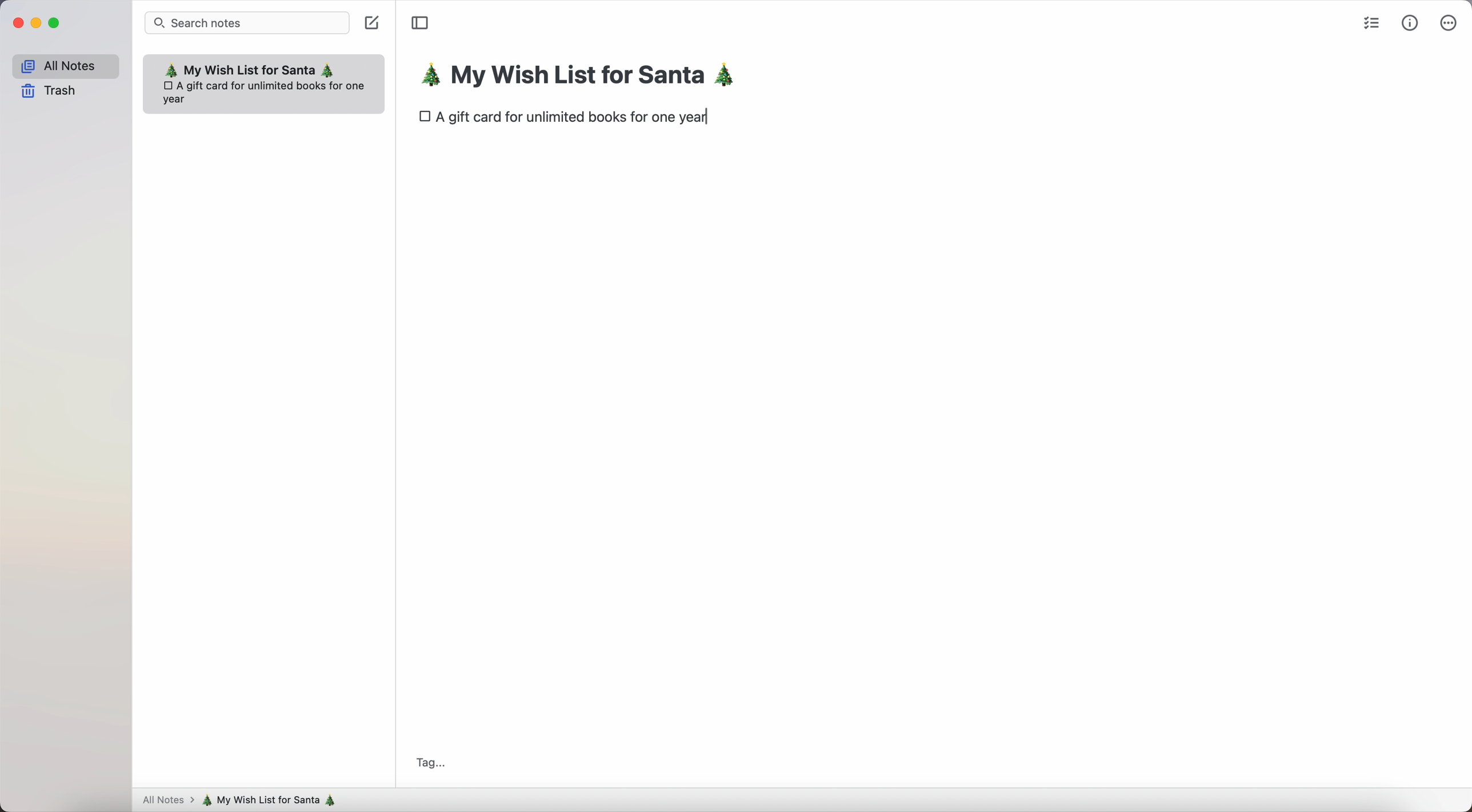 The width and height of the screenshot is (1472, 812). Describe the element at coordinates (56, 23) in the screenshot. I see `maximize` at that location.